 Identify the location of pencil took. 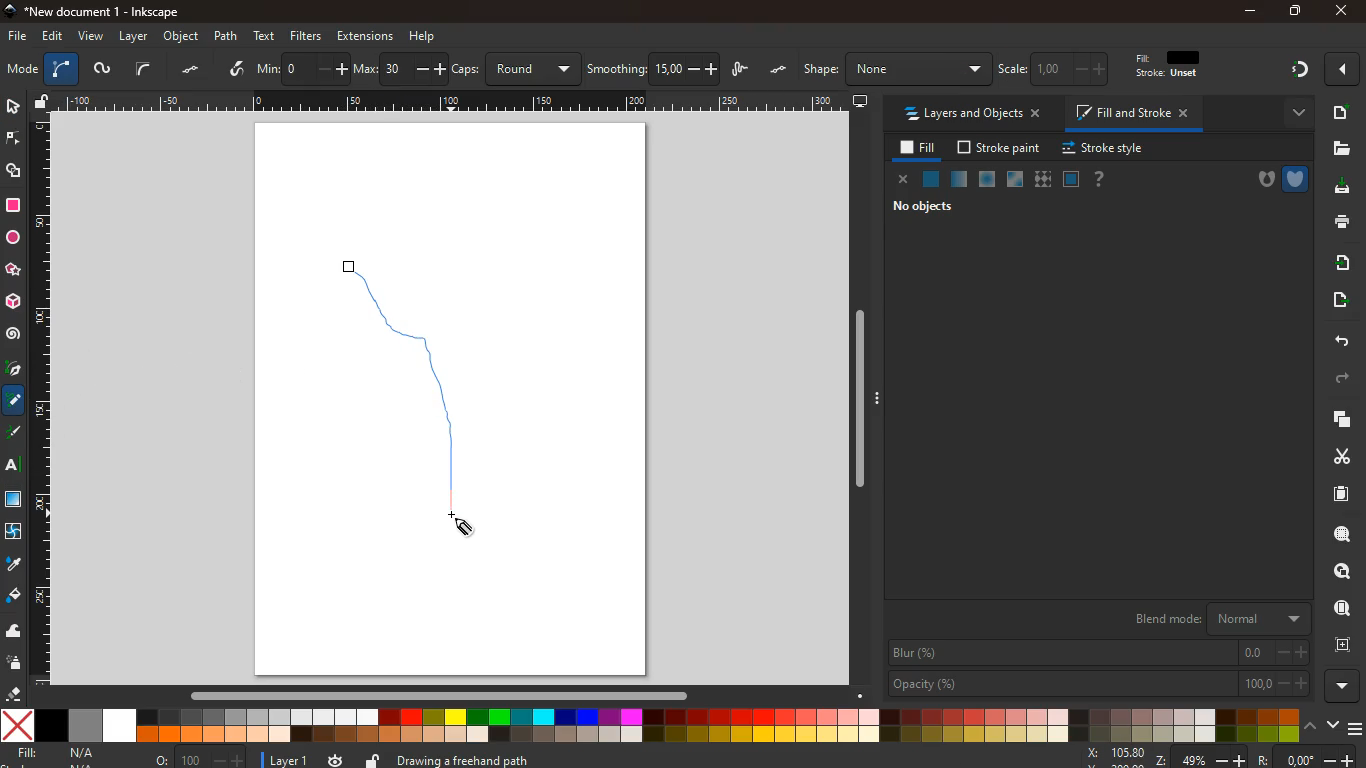
(15, 400).